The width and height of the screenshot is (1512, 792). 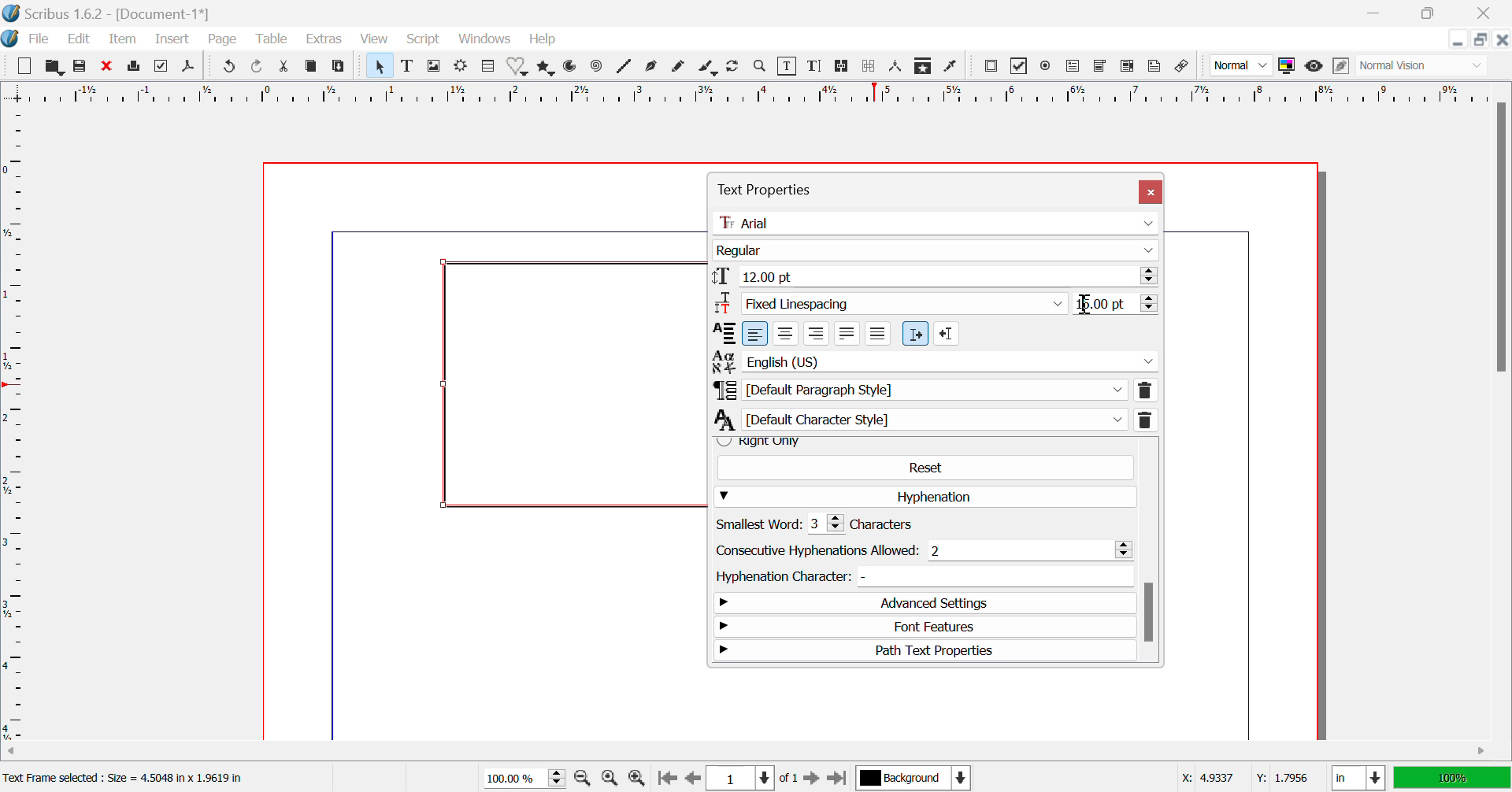 What do you see at coordinates (526, 777) in the screenshot?
I see `Zoom 100%` at bounding box center [526, 777].